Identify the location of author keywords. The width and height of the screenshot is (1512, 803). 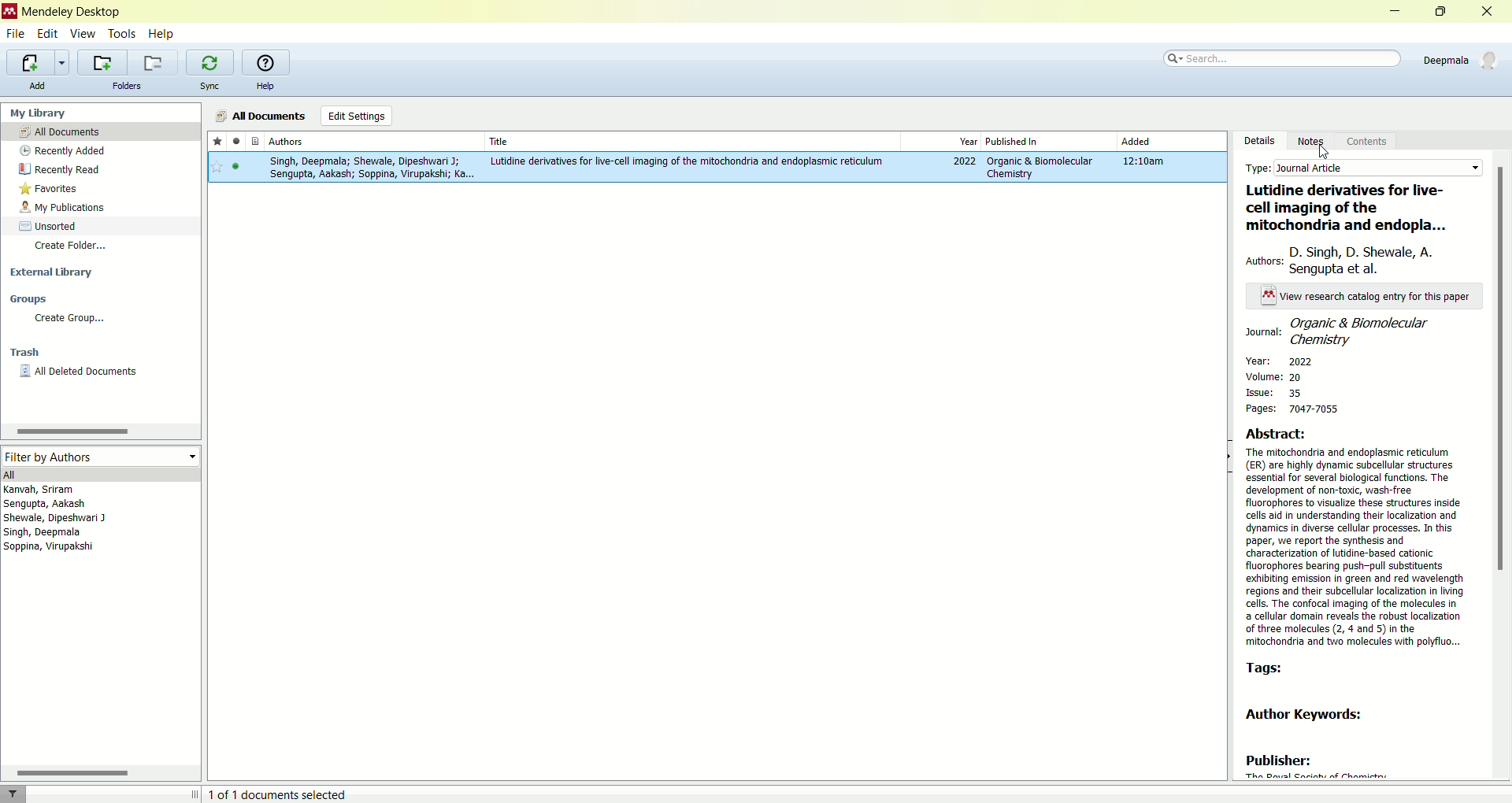
(1321, 713).